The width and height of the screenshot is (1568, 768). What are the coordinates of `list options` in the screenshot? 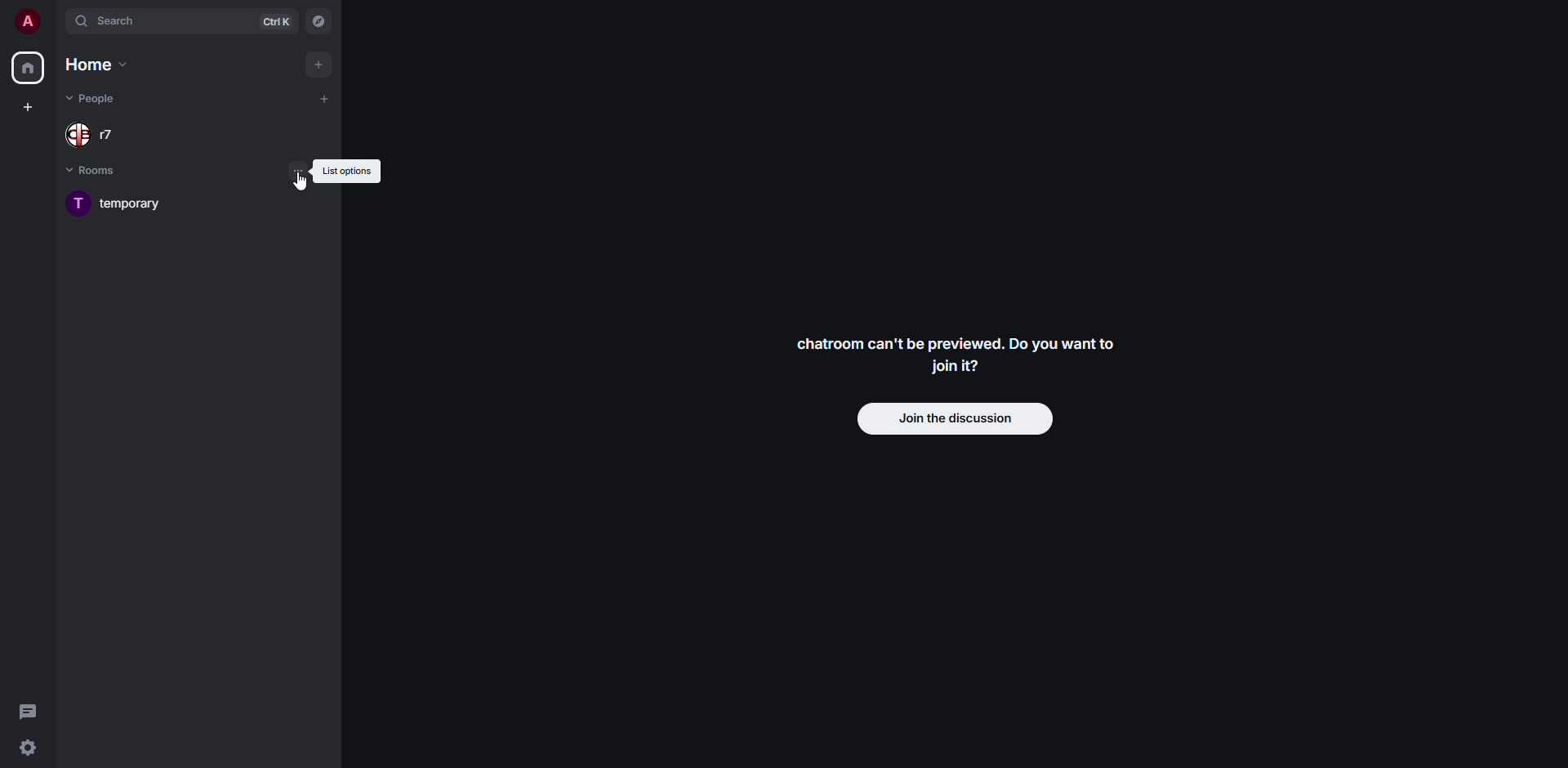 It's located at (349, 172).